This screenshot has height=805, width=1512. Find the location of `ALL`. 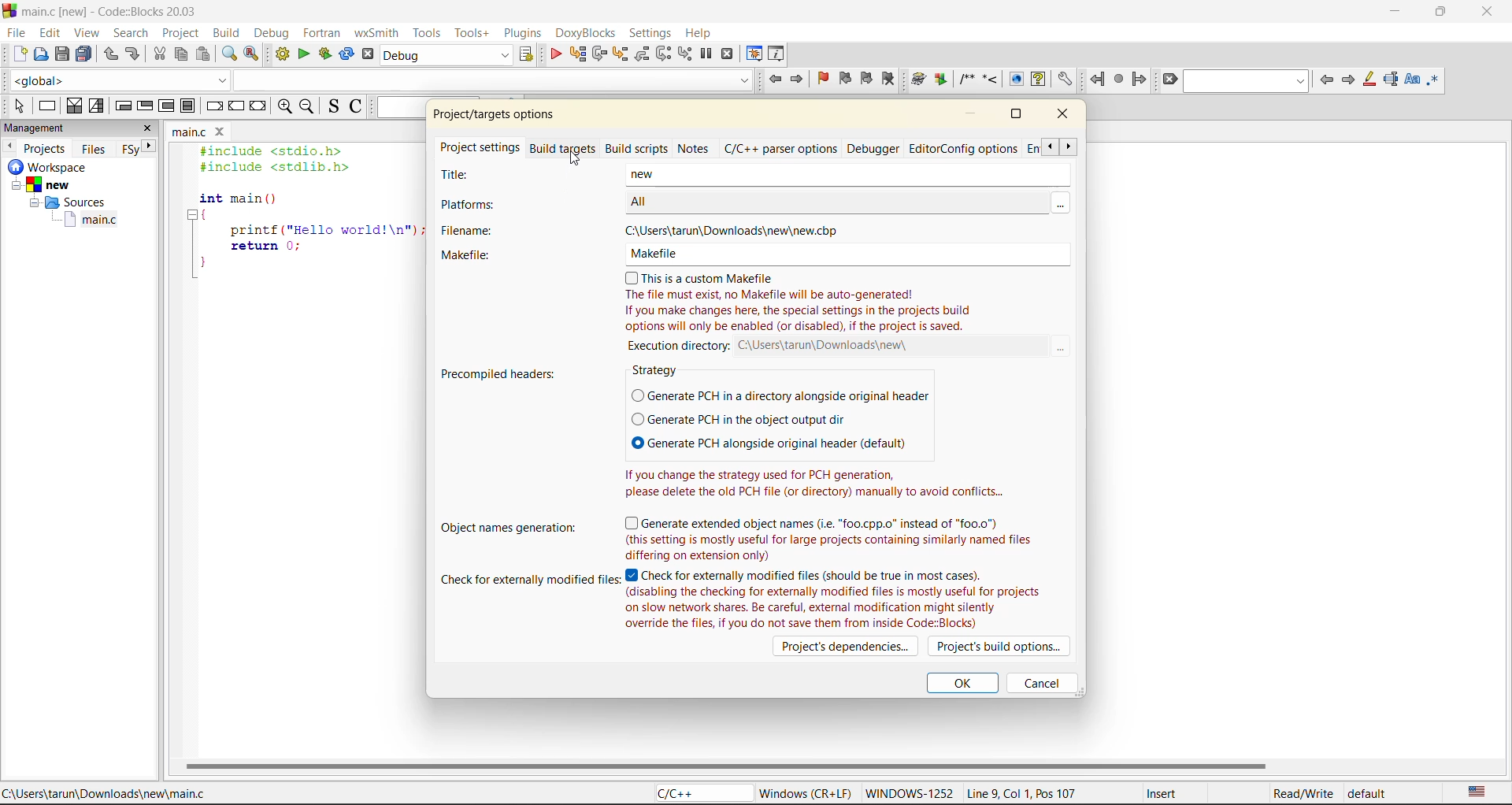

ALL is located at coordinates (702, 198).